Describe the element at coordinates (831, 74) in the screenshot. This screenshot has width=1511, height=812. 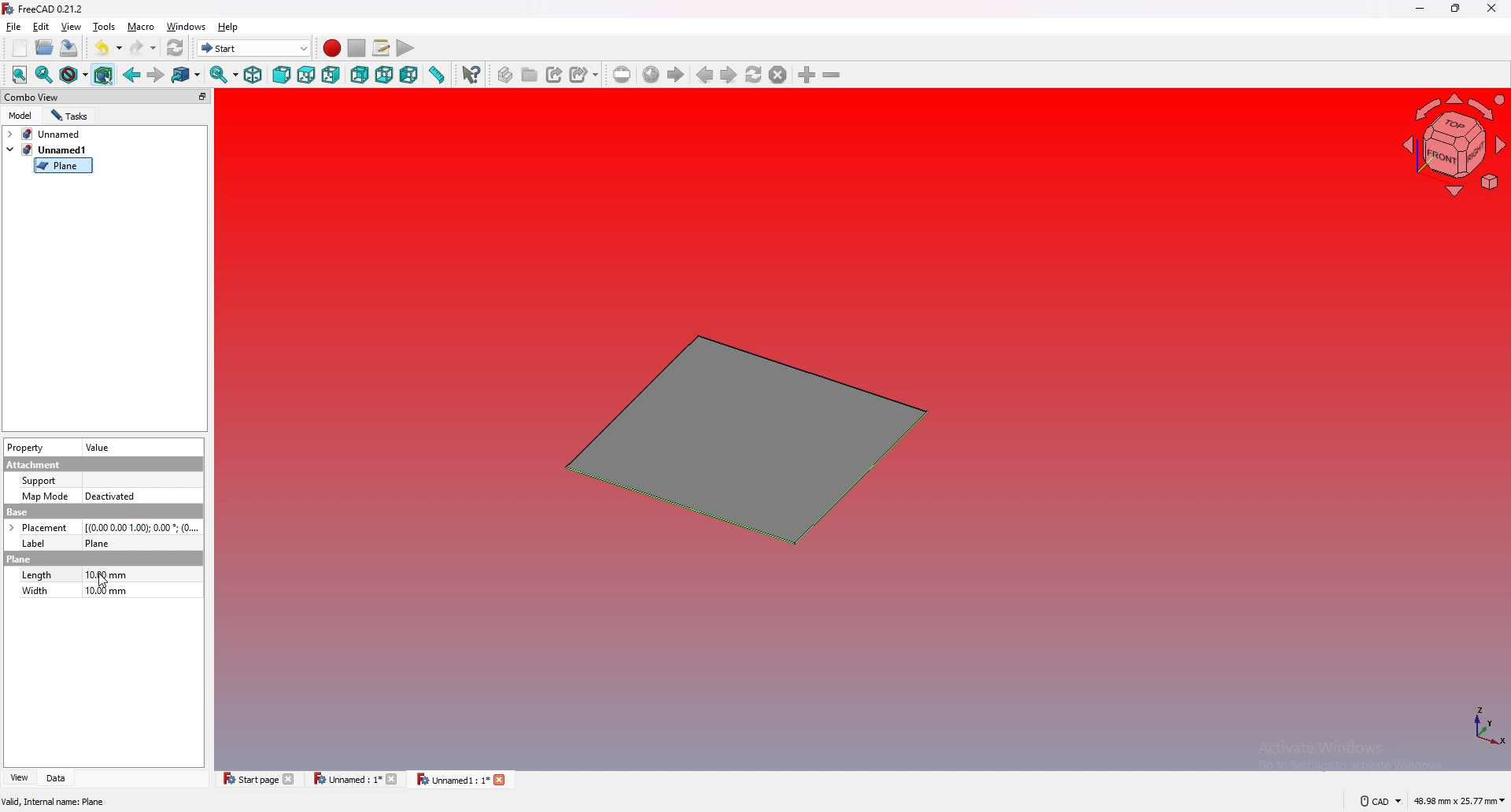
I see `zoom out` at that location.